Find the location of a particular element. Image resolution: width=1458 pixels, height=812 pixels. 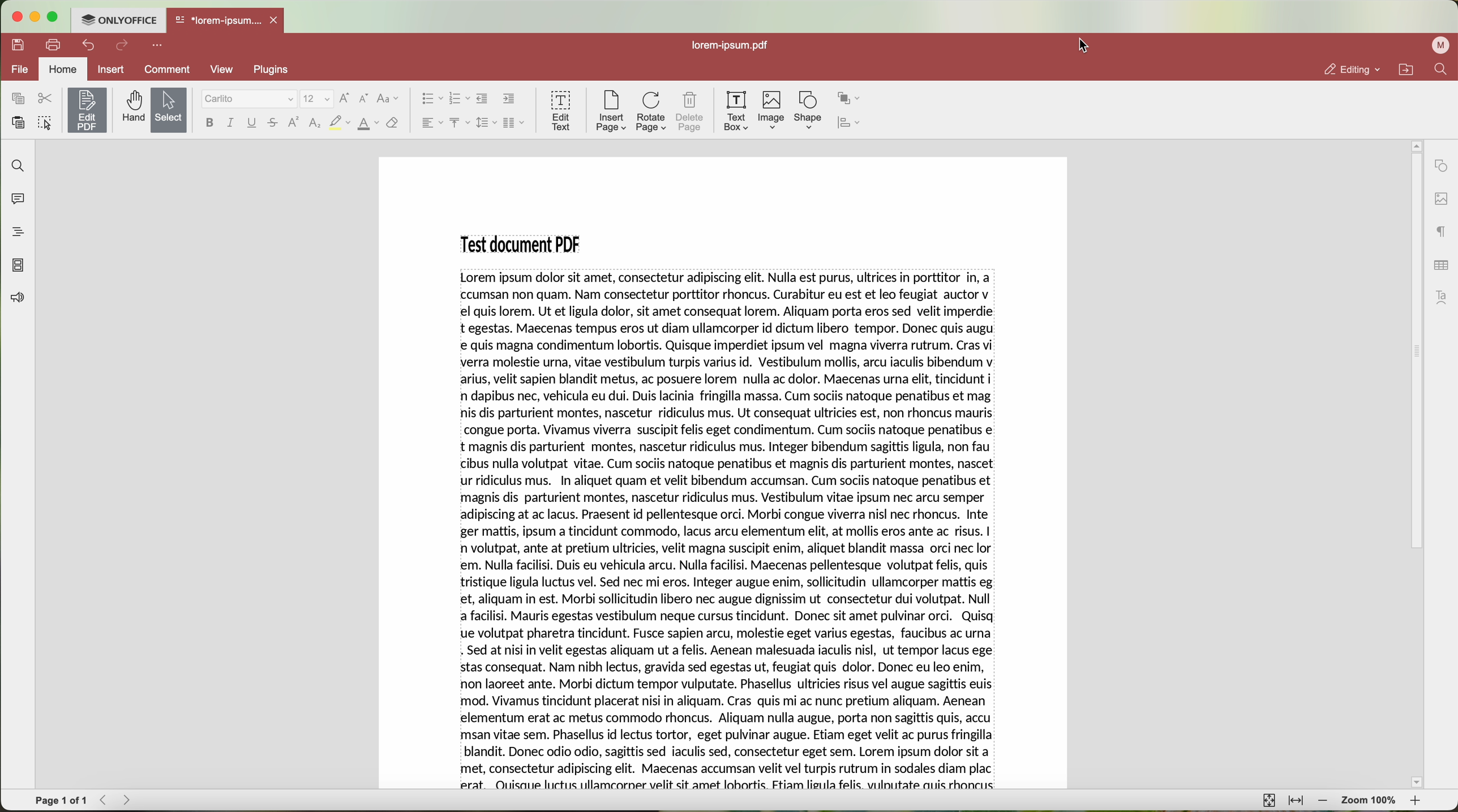

Insert is located at coordinates (111, 69).